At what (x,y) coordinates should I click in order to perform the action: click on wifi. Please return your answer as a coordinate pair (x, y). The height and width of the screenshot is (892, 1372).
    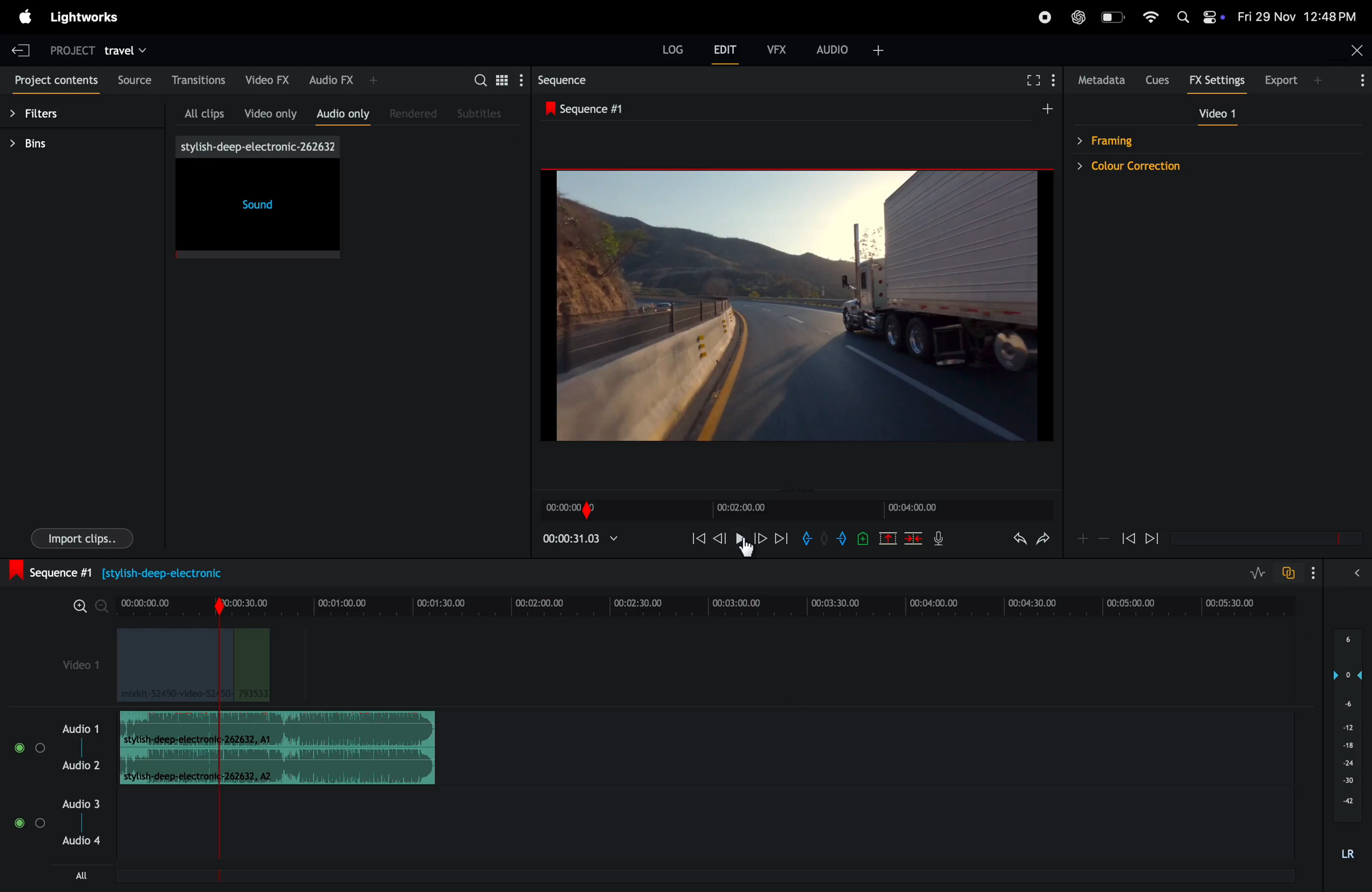
    Looking at the image, I should click on (1151, 16).